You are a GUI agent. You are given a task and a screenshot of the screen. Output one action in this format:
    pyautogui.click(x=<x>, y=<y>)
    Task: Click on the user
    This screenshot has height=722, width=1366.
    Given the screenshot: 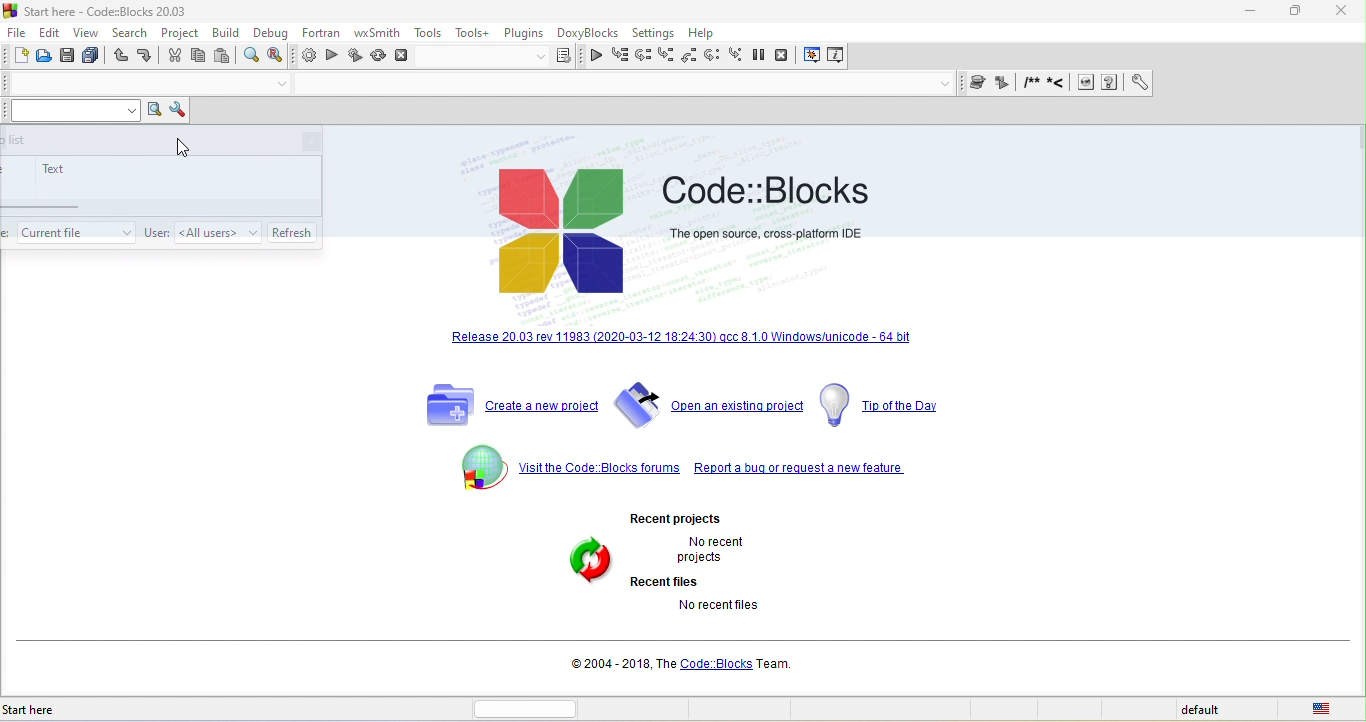 What is the action you would take?
    pyautogui.click(x=155, y=233)
    